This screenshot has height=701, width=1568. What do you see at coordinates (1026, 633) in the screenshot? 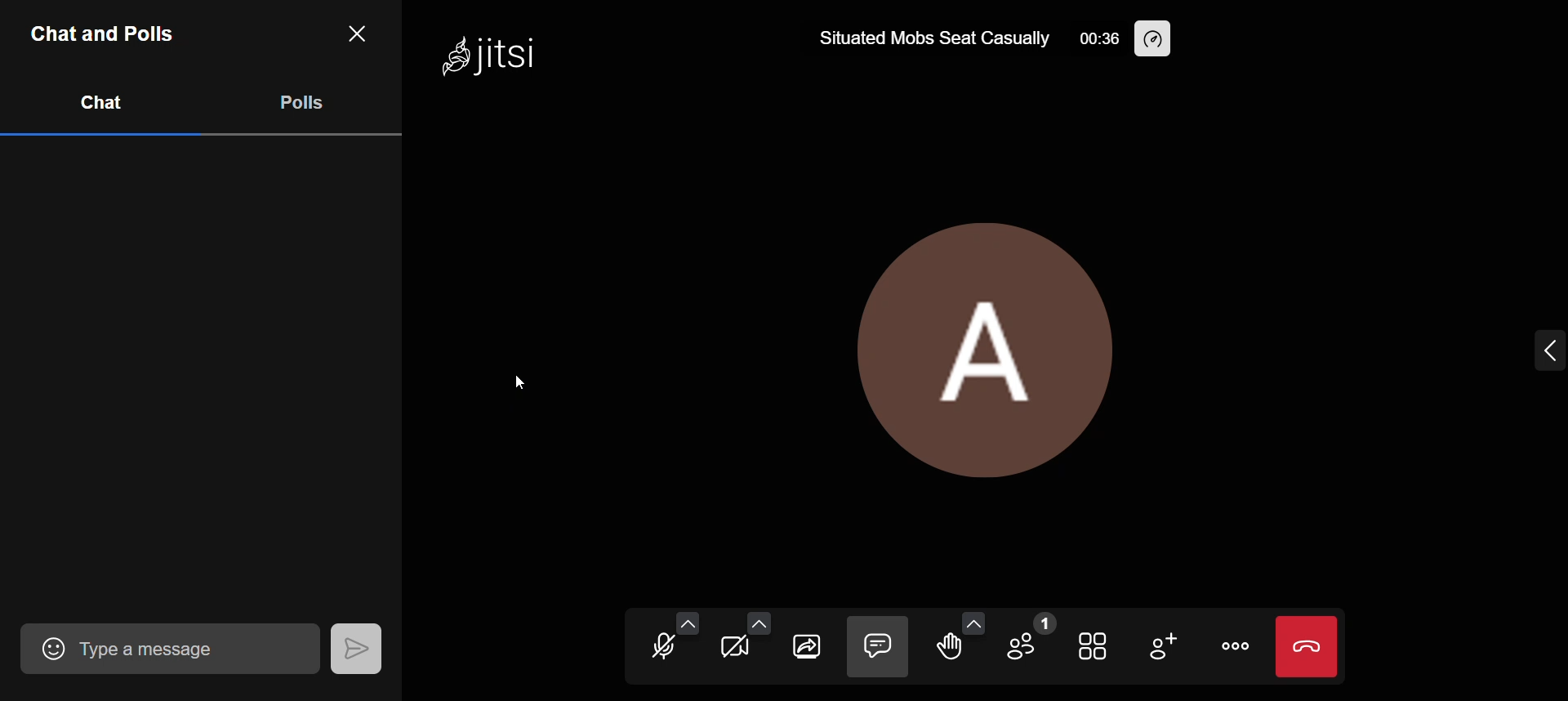
I see `participants` at bounding box center [1026, 633].